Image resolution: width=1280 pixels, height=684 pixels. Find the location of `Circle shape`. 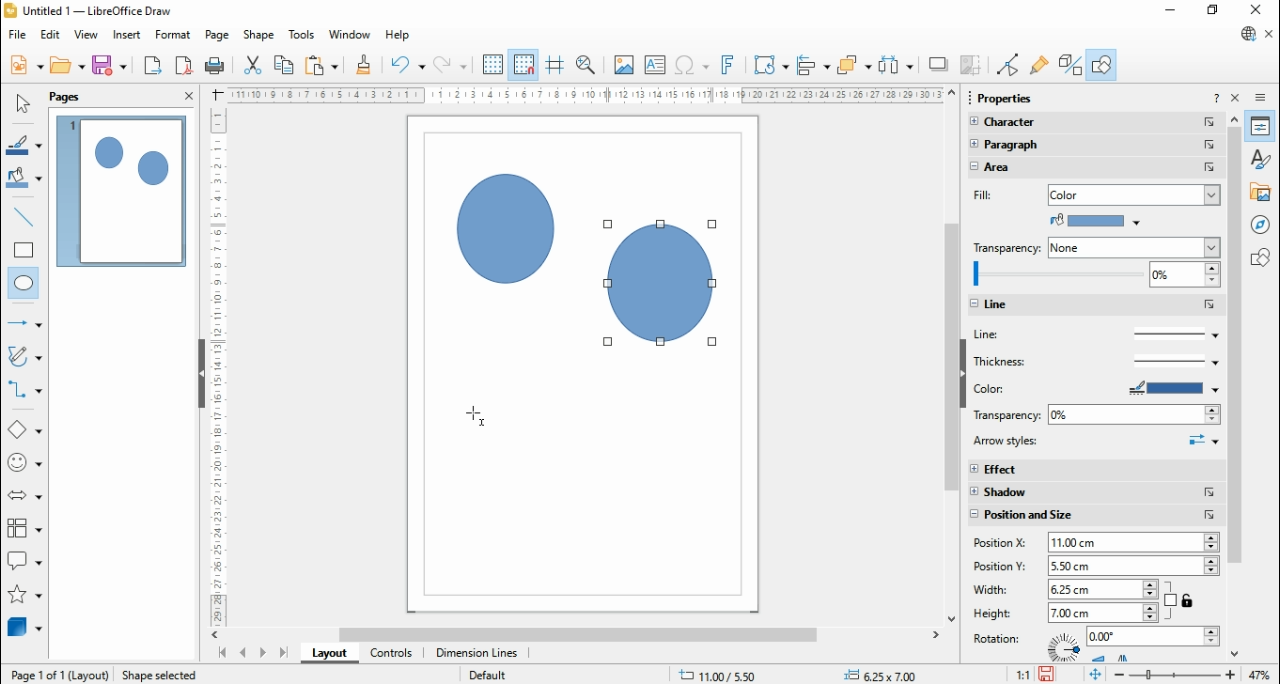

Circle shape is located at coordinates (661, 286).